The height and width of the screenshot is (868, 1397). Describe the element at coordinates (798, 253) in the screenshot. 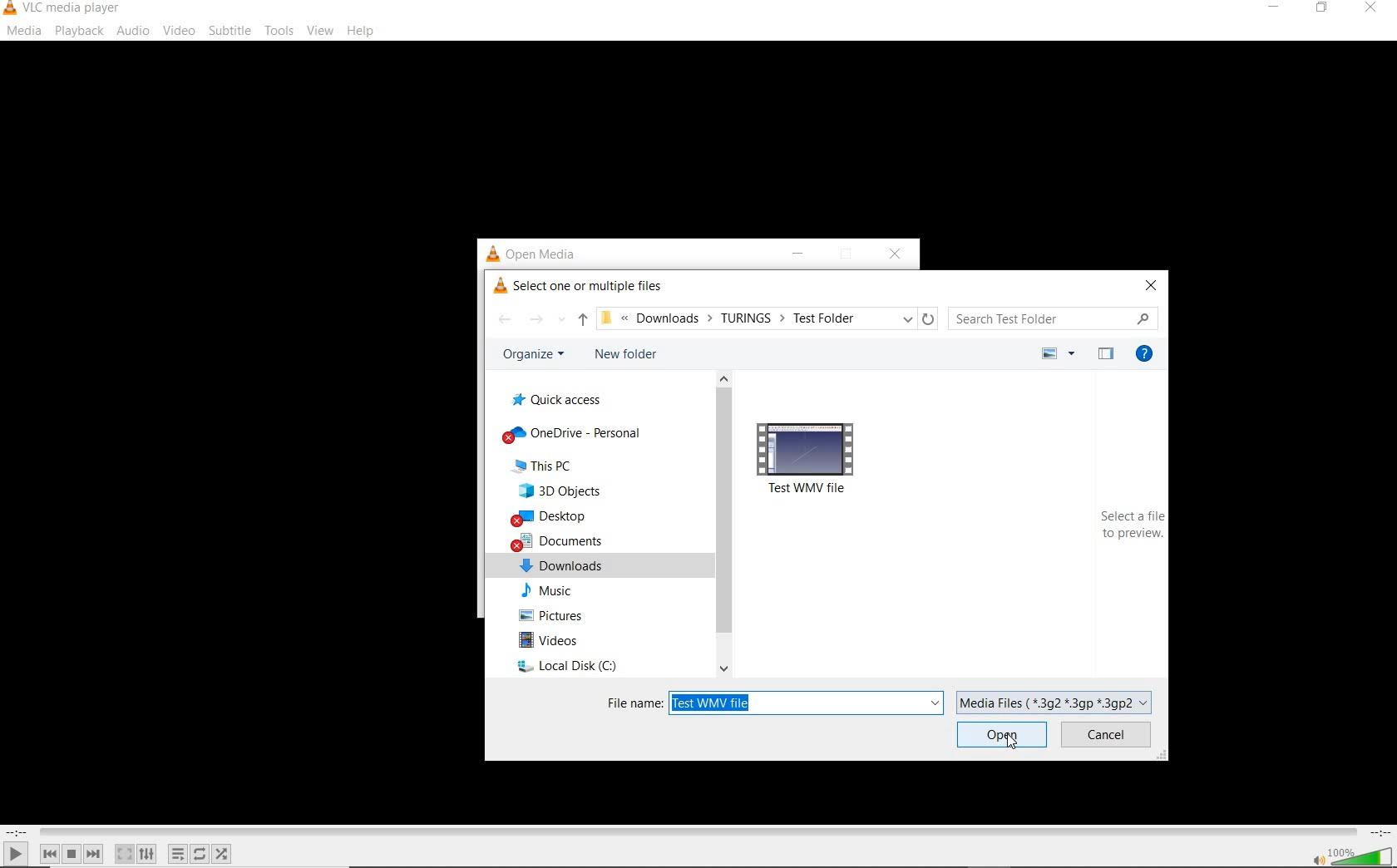

I see `minimize` at that location.